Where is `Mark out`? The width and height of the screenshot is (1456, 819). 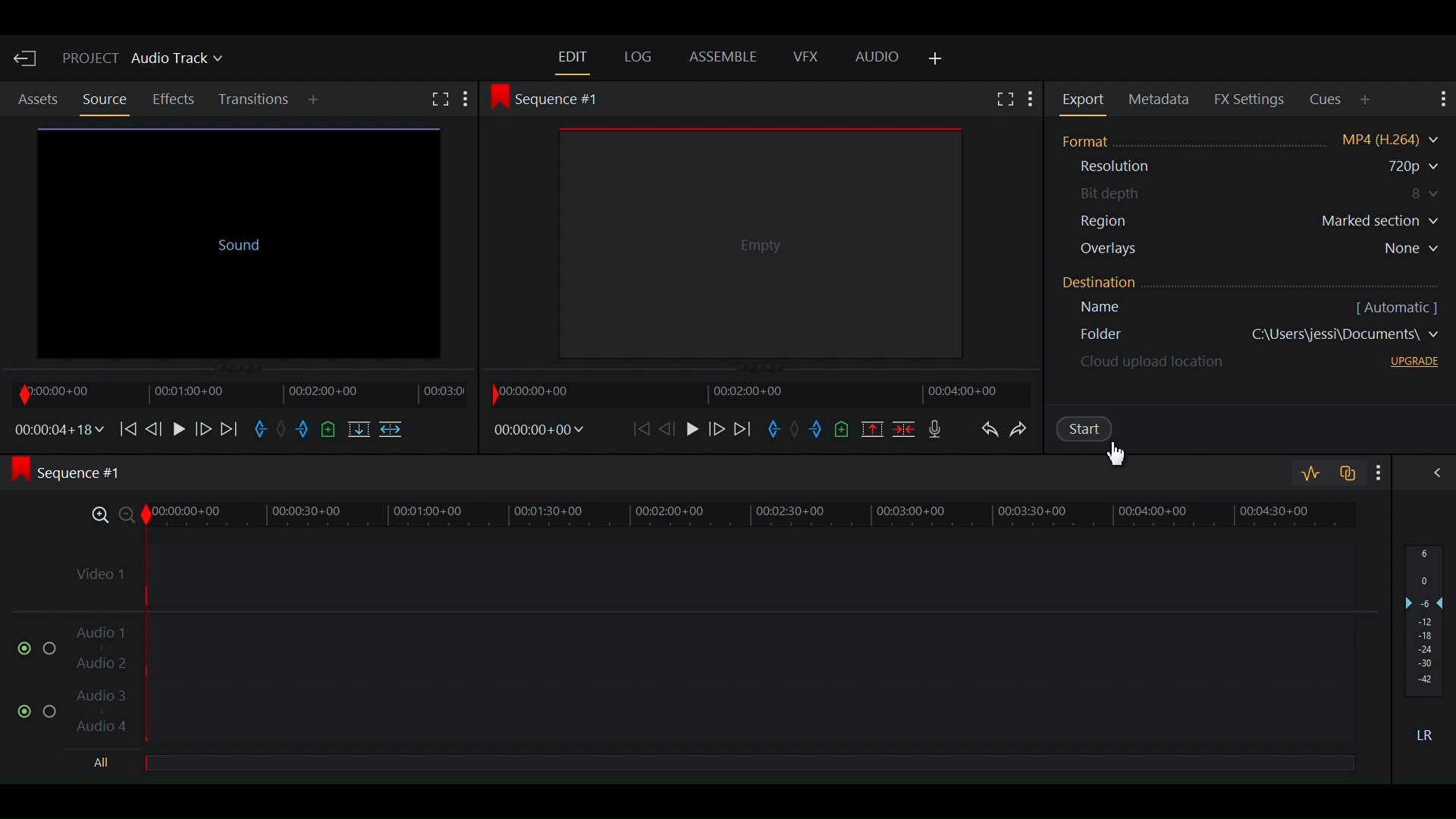 Mark out is located at coordinates (304, 431).